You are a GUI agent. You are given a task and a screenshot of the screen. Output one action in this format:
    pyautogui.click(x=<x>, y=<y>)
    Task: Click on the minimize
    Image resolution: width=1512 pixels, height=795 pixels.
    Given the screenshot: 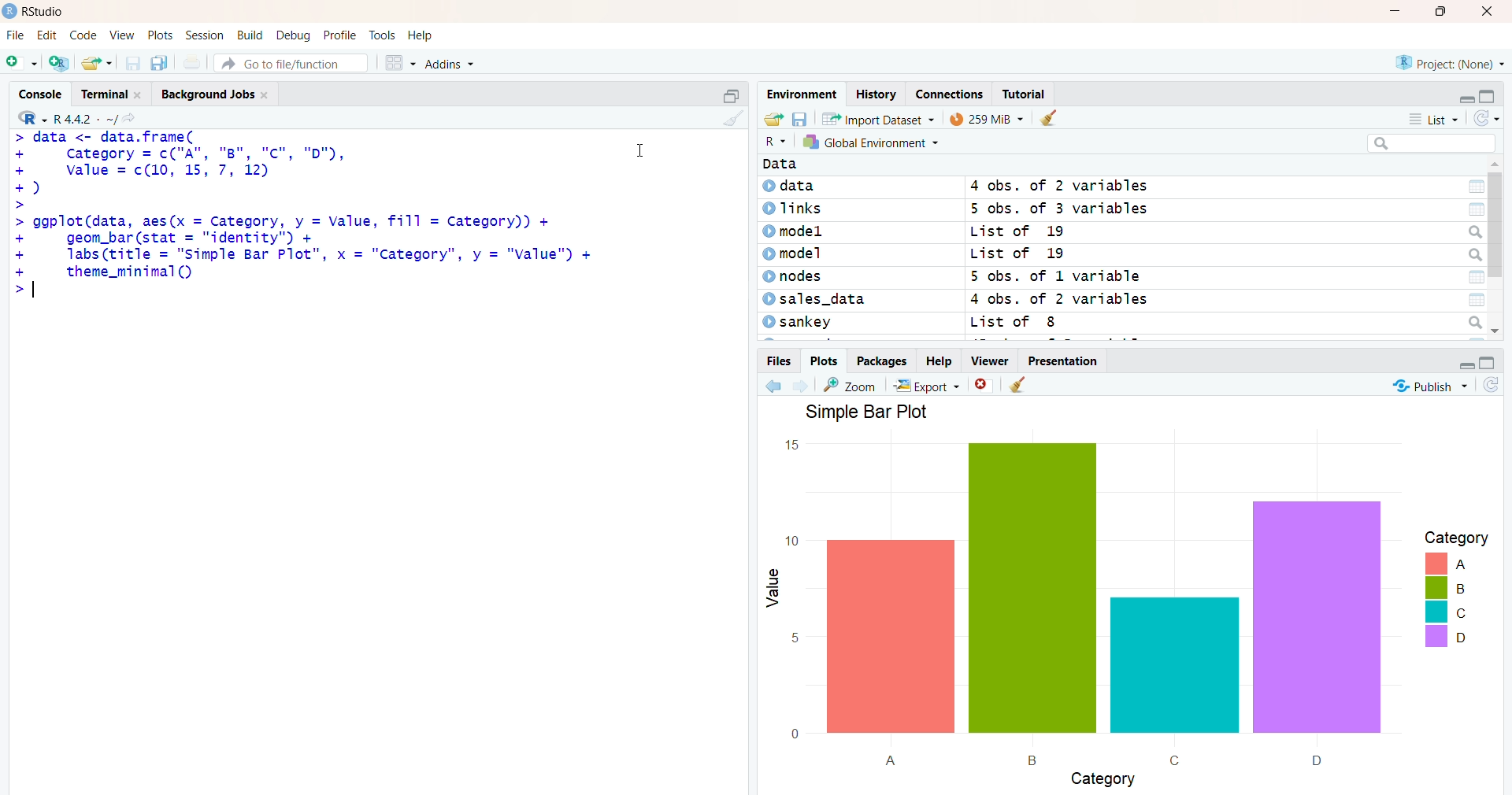 What is the action you would take?
    pyautogui.click(x=1462, y=93)
    